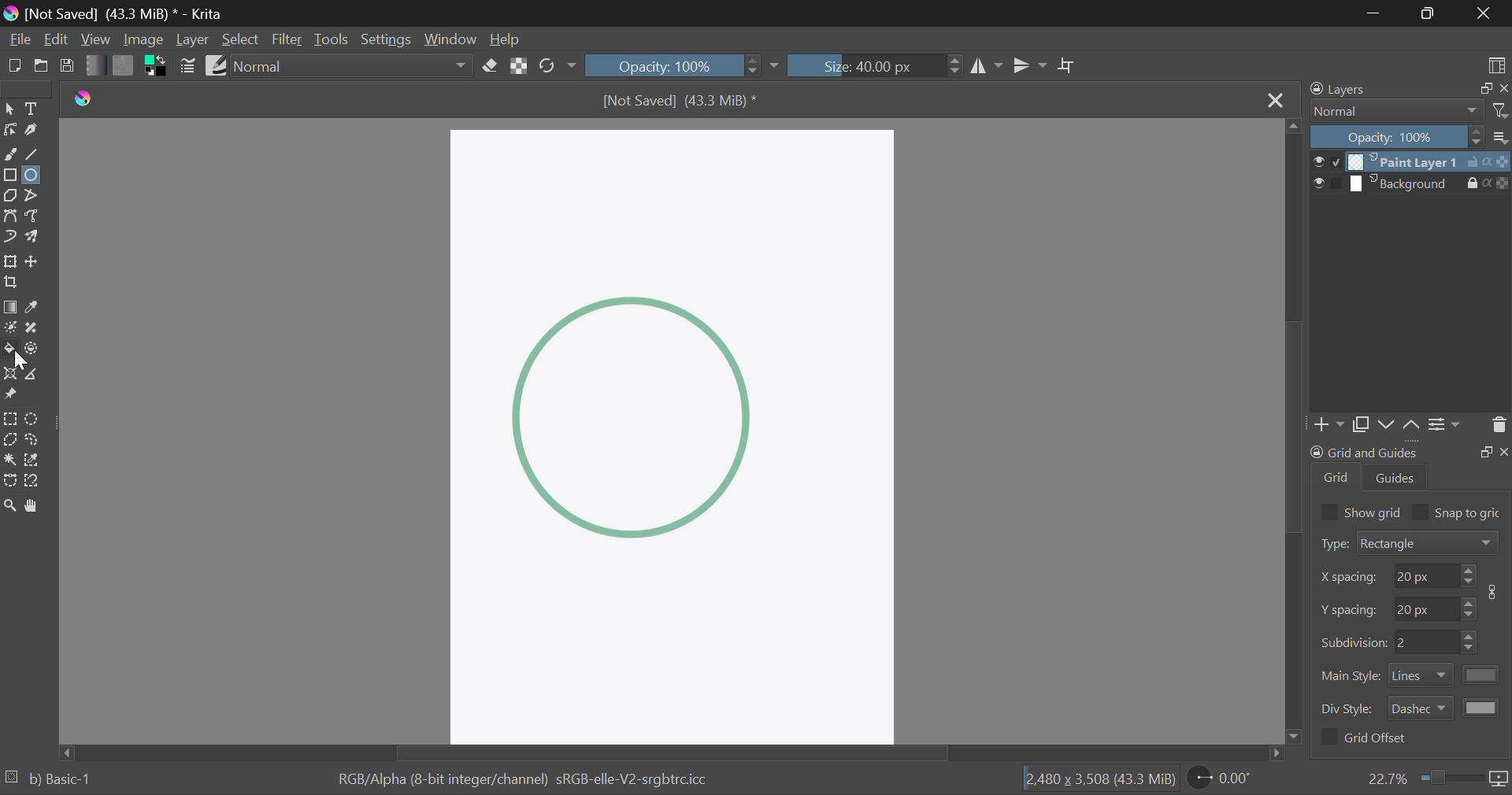  I want to click on Line, so click(32, 152).